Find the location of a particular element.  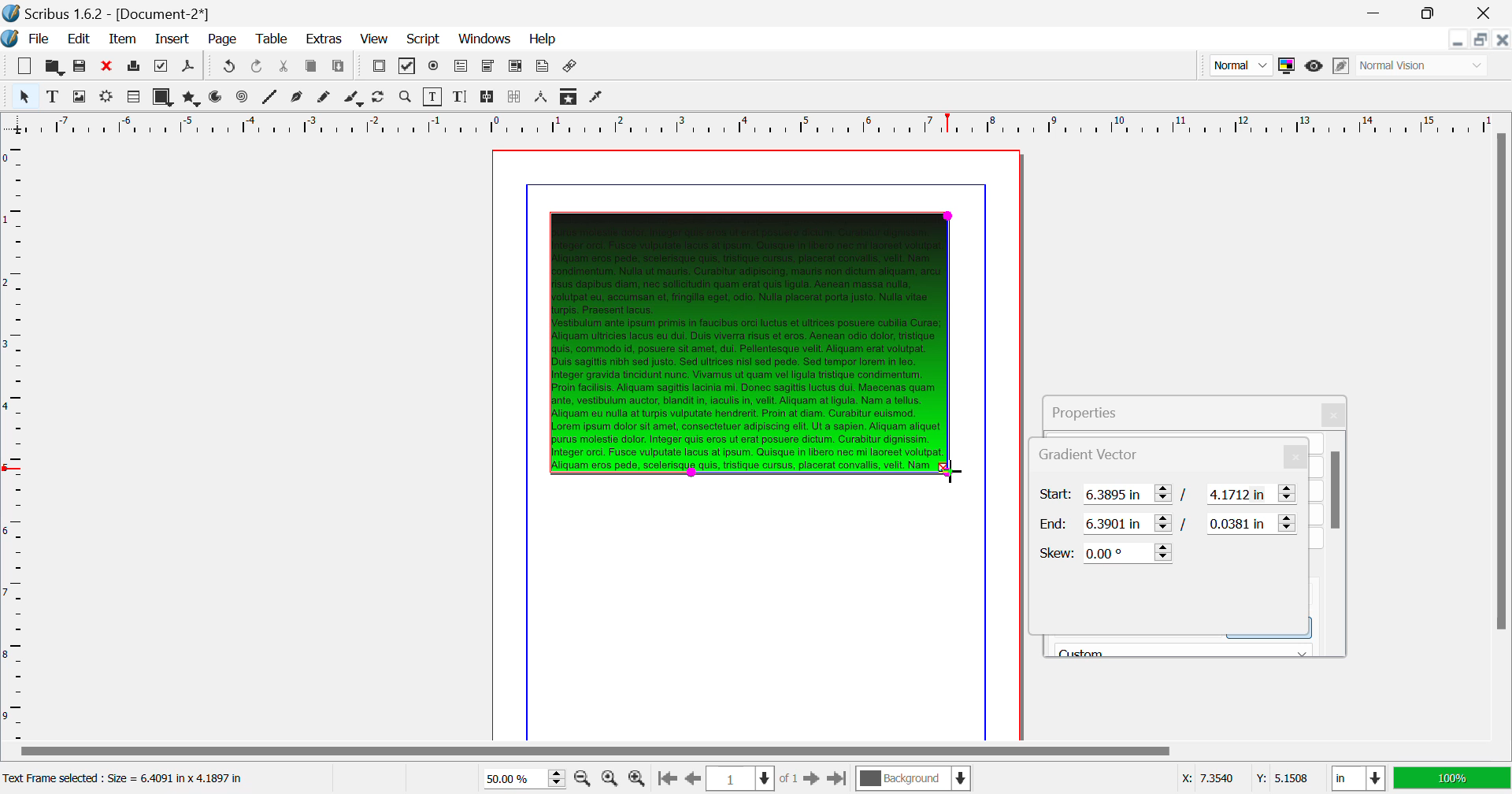

Edit Text with Story Editor is located at coordinates (460, 97).